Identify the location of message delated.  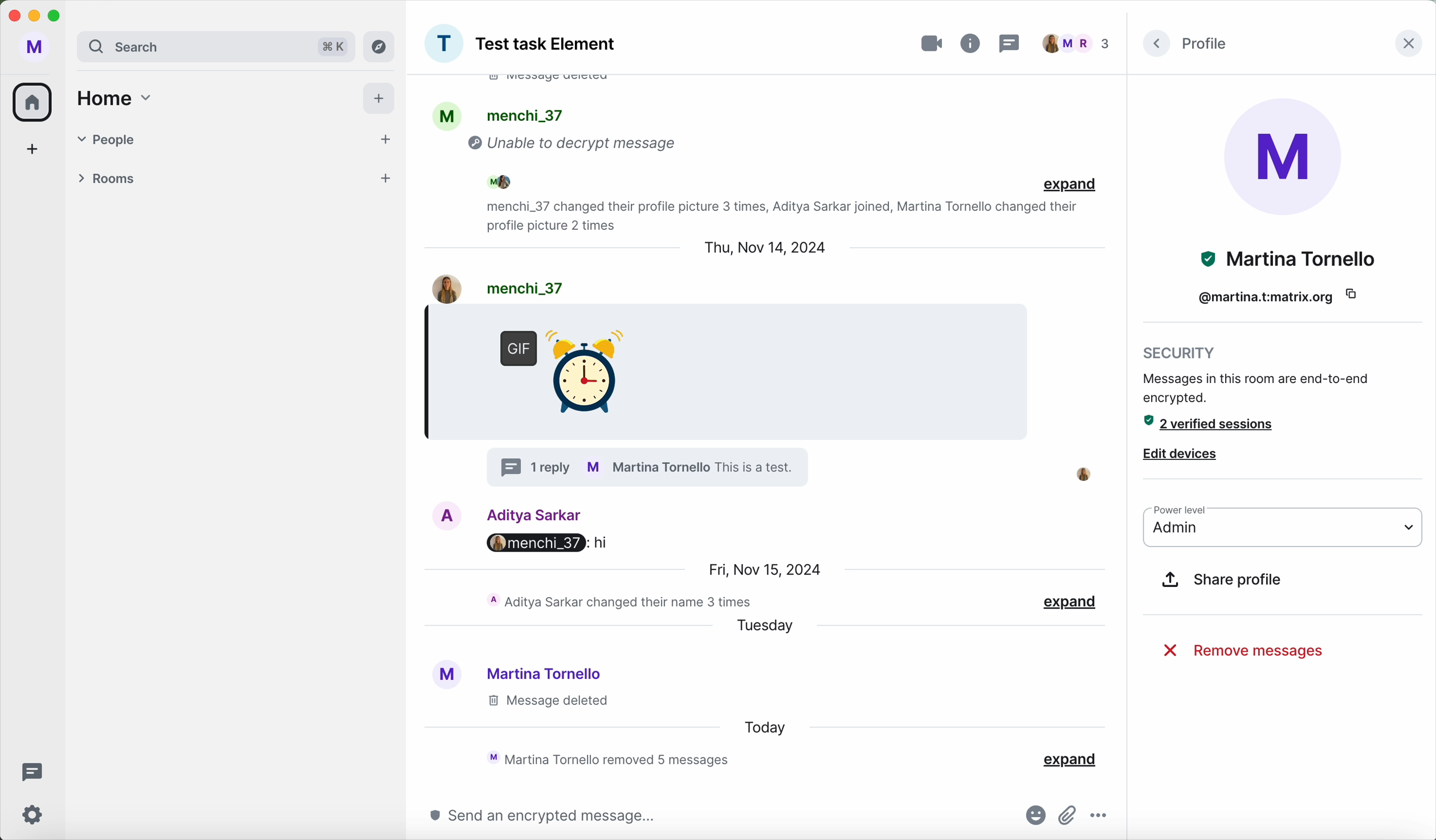
(546, 702).